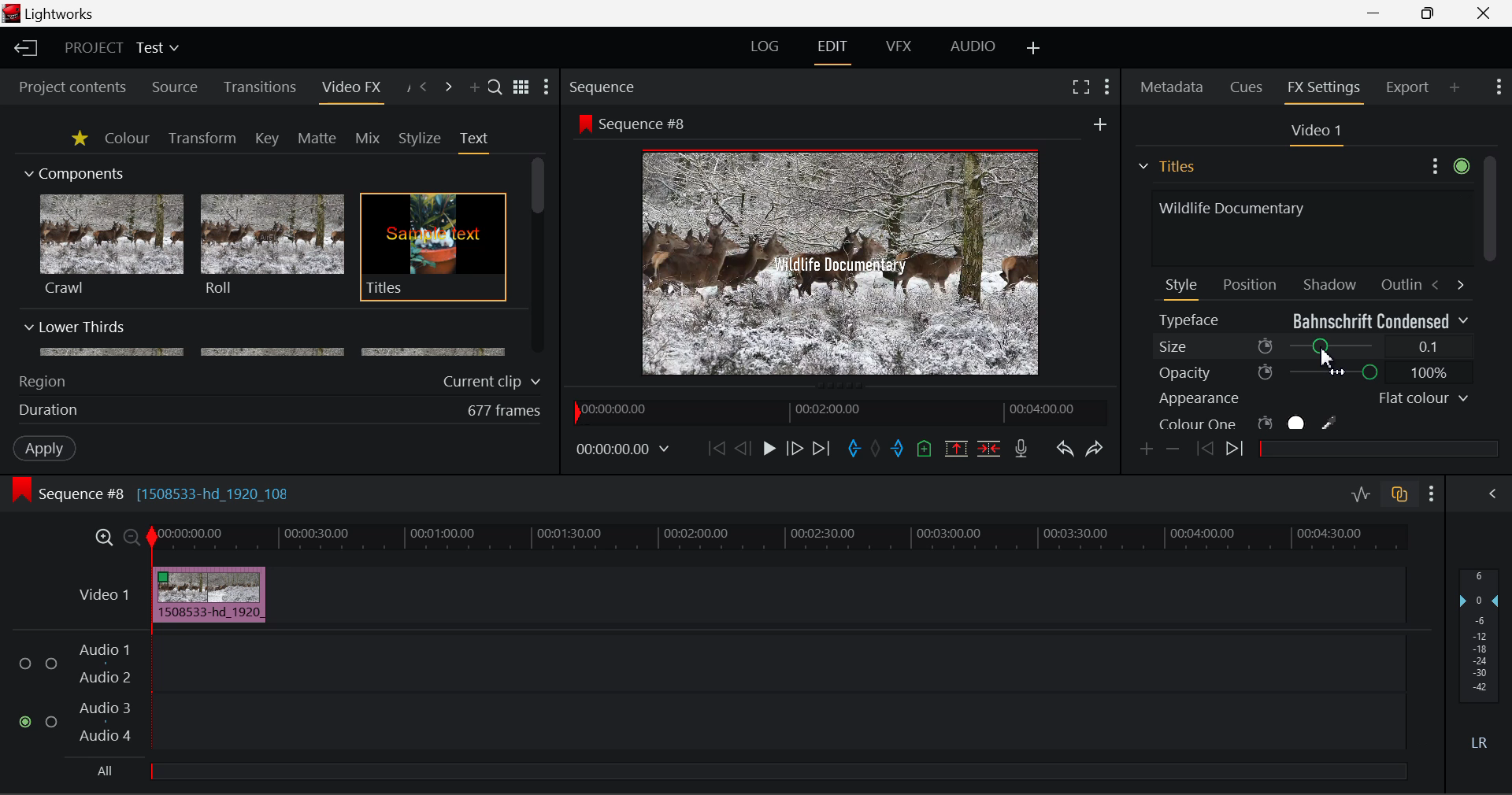 Image resolution: width=1512 pixels, height=795 pixels. I want to click on Project Timeline, so click(779, 538).